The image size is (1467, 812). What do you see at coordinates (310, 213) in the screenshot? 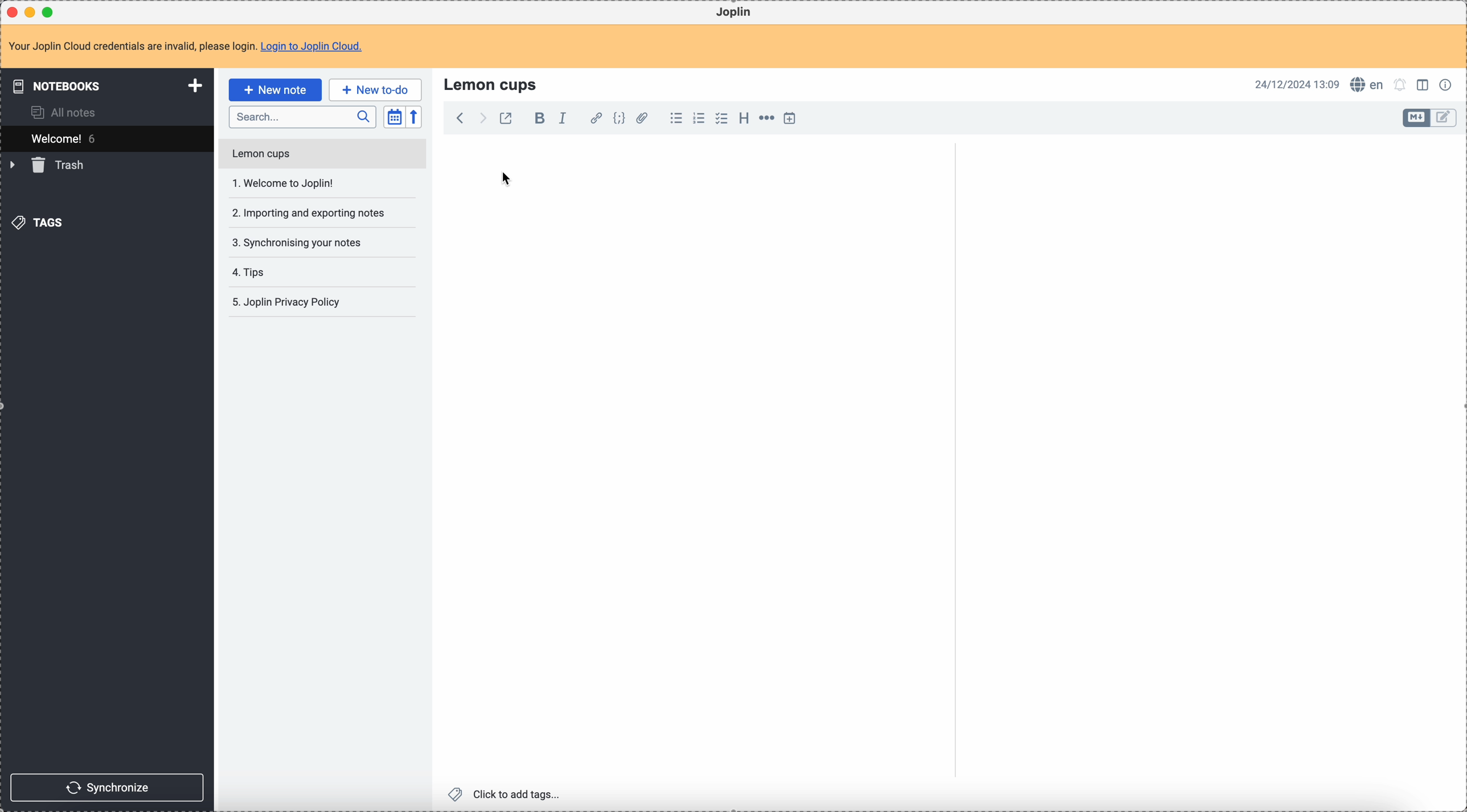
I see `importing and exporting your notes` at bounding box center [310, 213].